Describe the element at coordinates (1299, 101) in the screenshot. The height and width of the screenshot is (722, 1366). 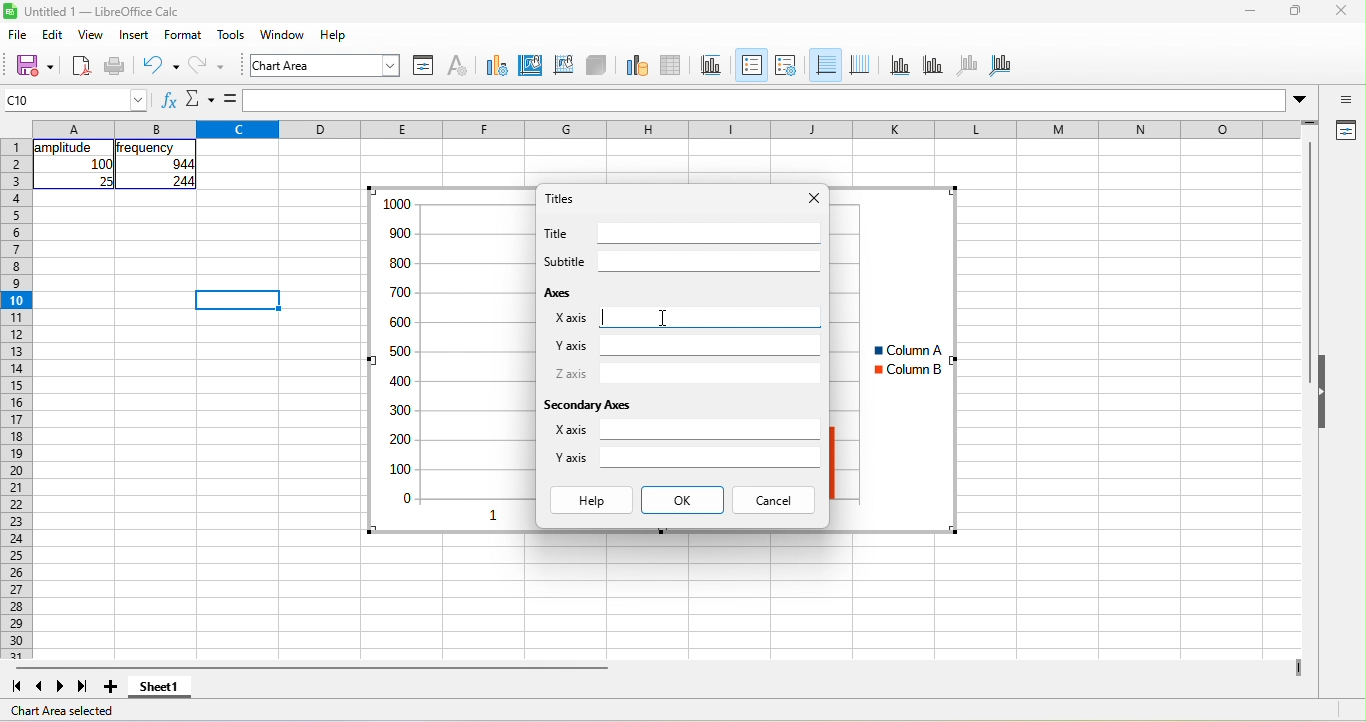
I see `More options` at that location.